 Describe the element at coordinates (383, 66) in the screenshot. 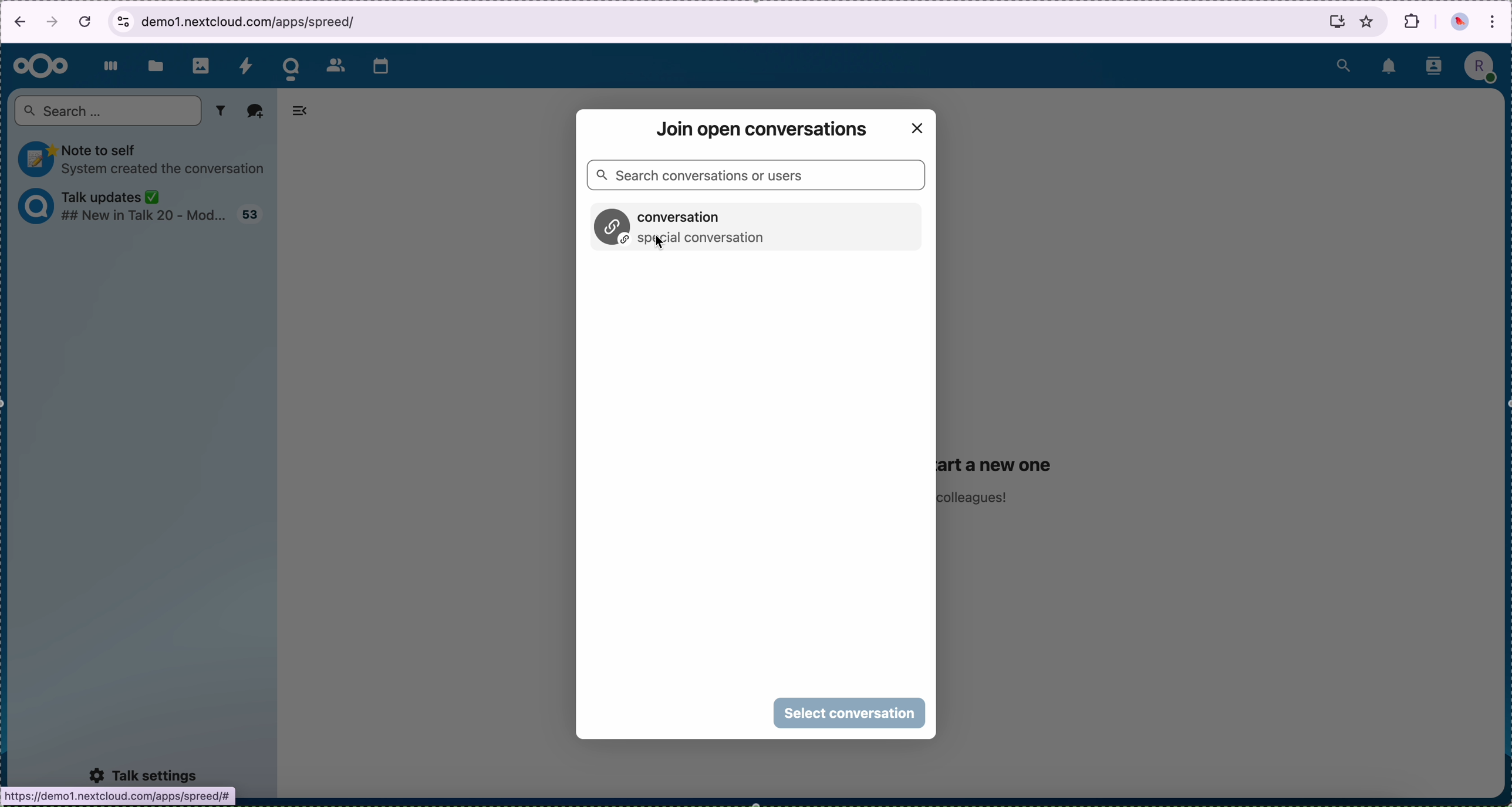

I see `calendar` at that location.